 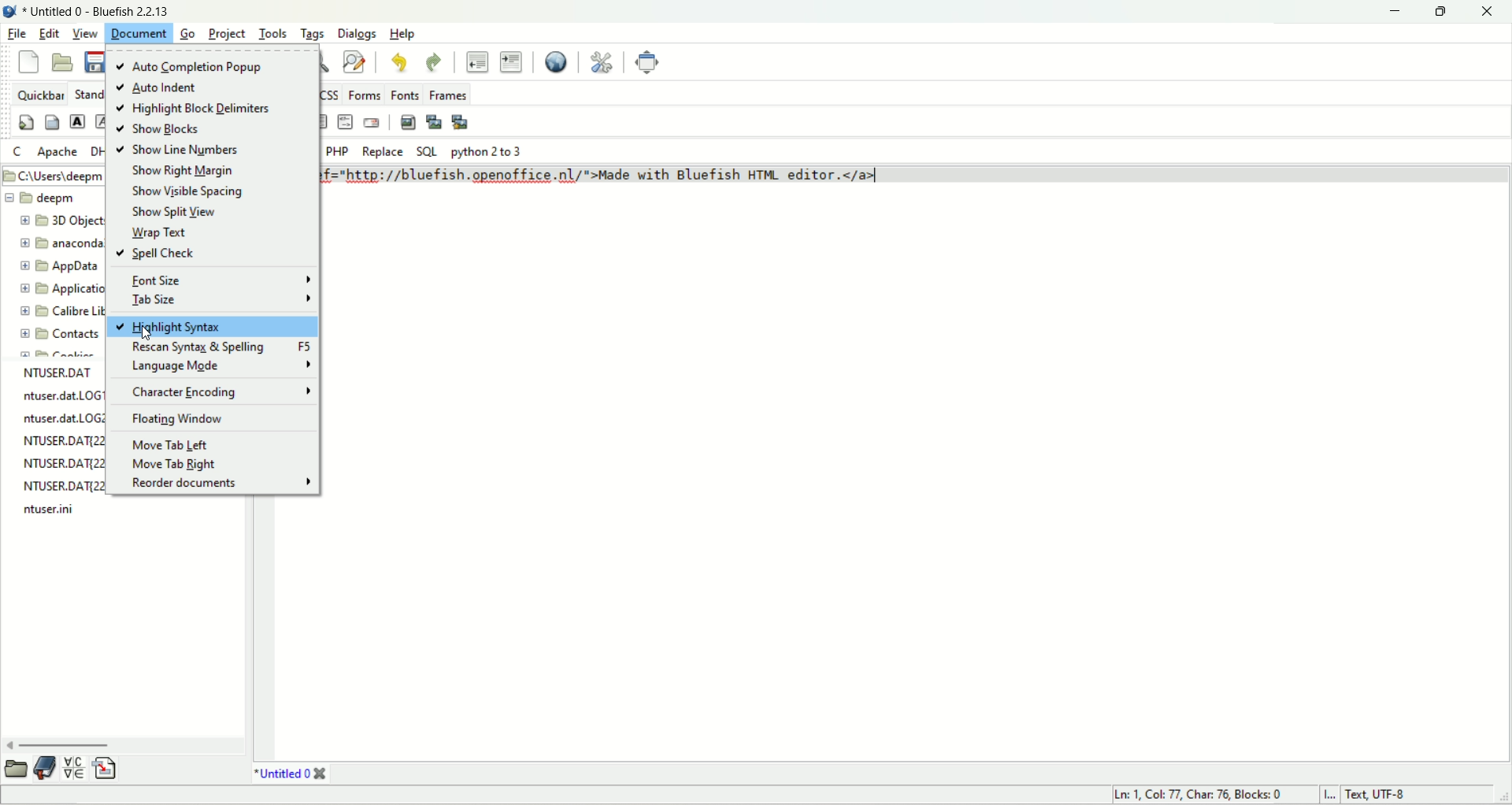 I want to click on dialogs, so click(x=358, y=34).